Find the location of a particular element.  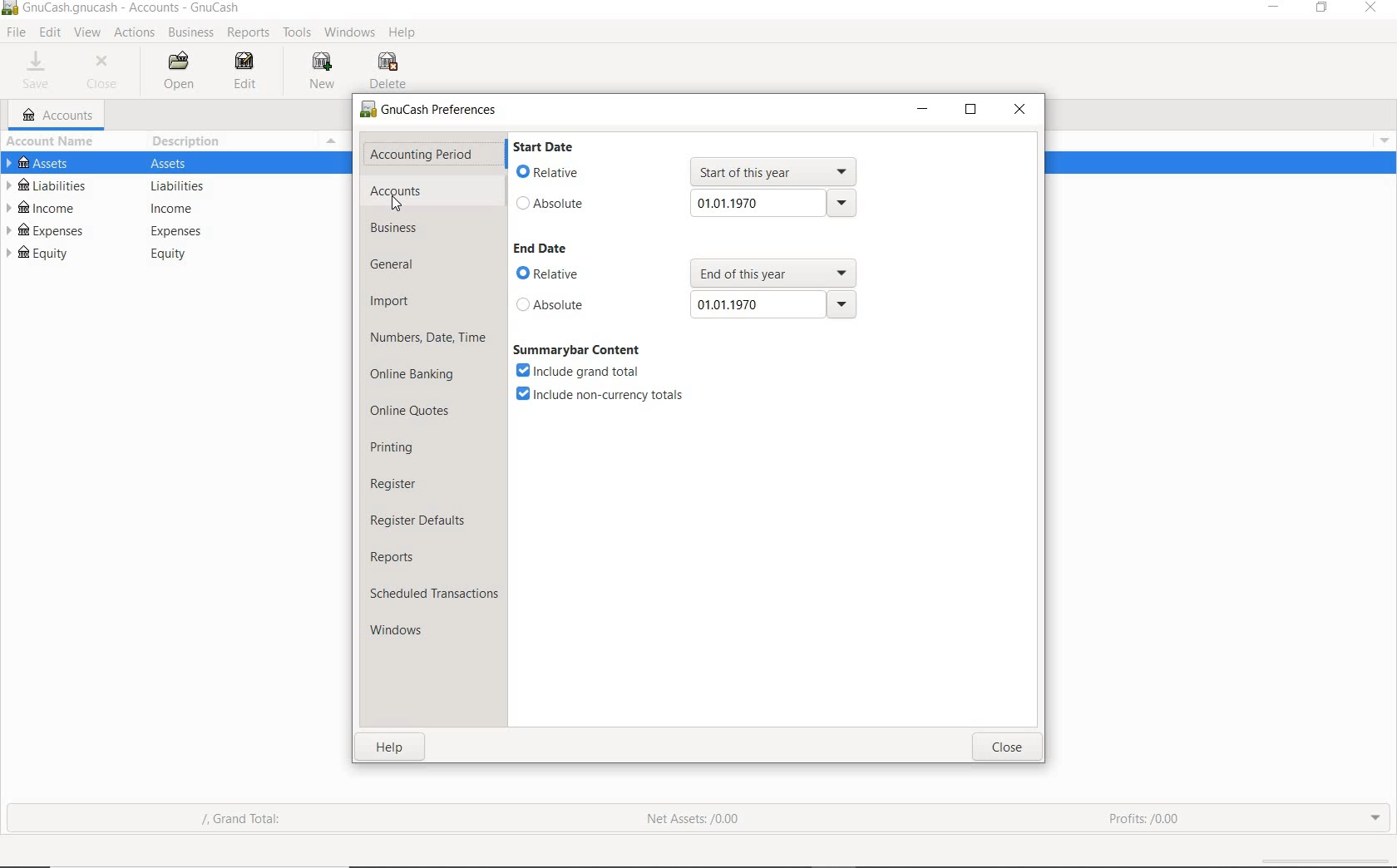

business is located at coordinates (398, 229).